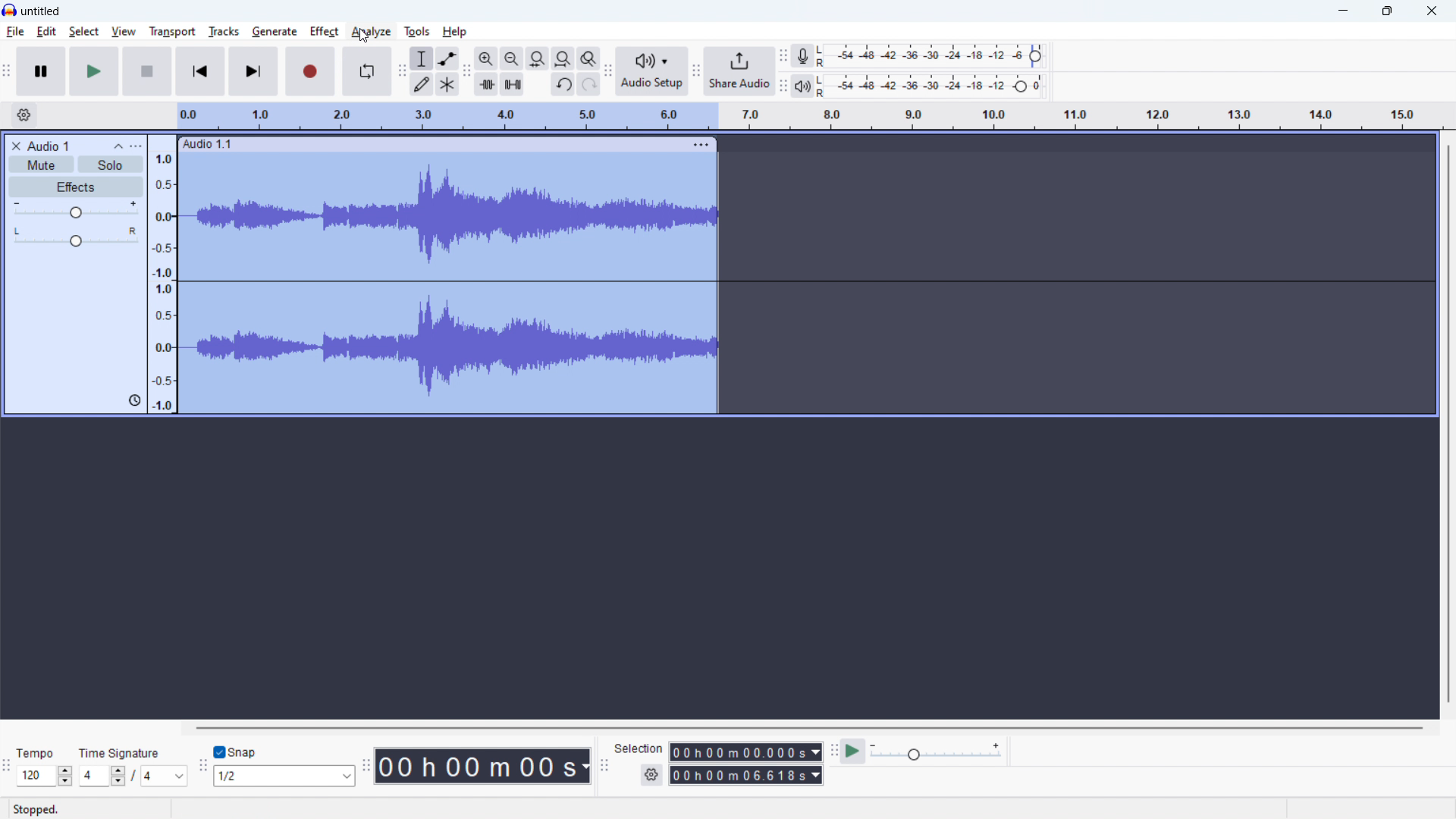 This screenshot has height=819, width=1456. I want to click on recording level, so click(935, 57).